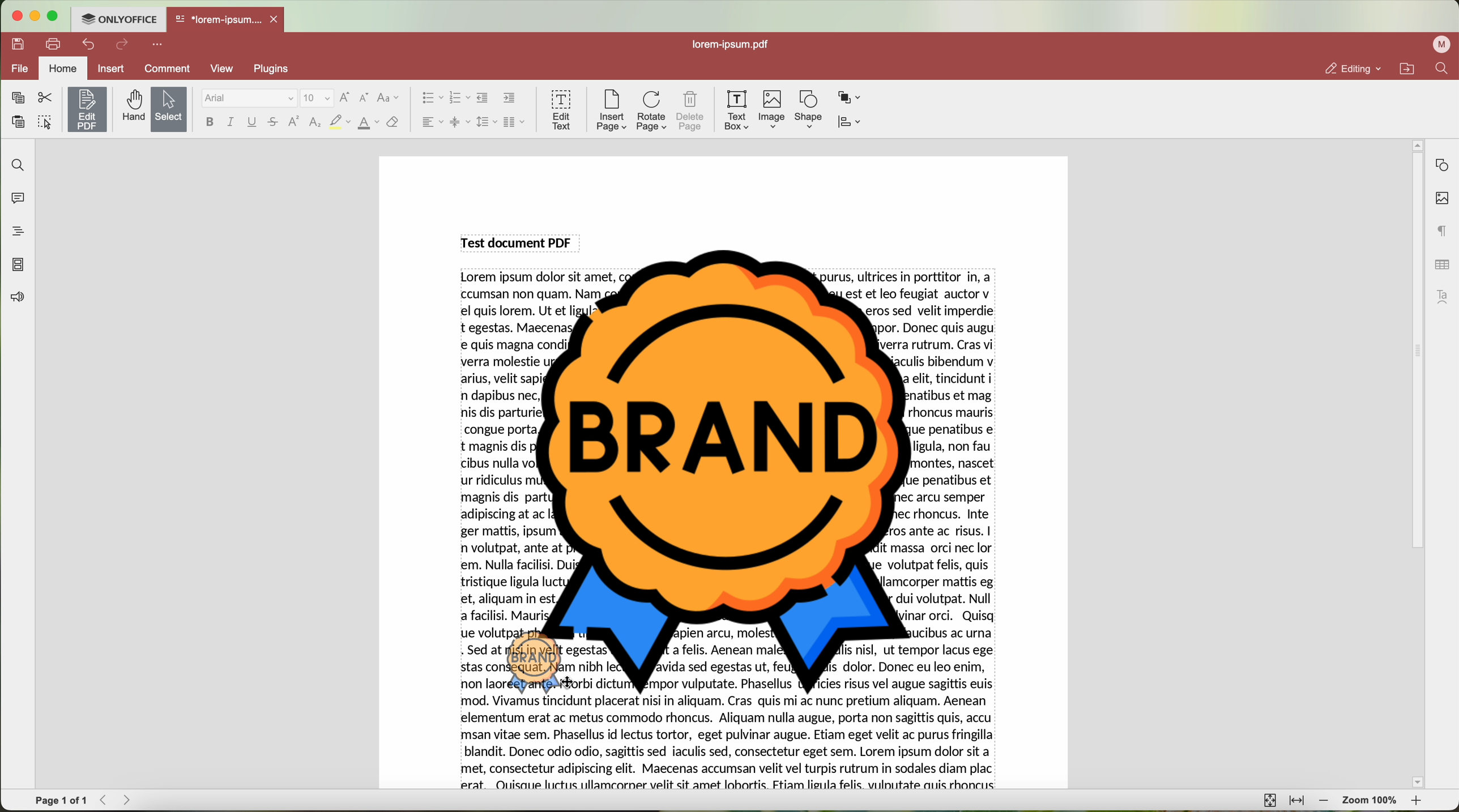 The image size is (1459, 812). Describe the element at coordinates (248, 99) in the screenshot. I see `Arial` at that location.